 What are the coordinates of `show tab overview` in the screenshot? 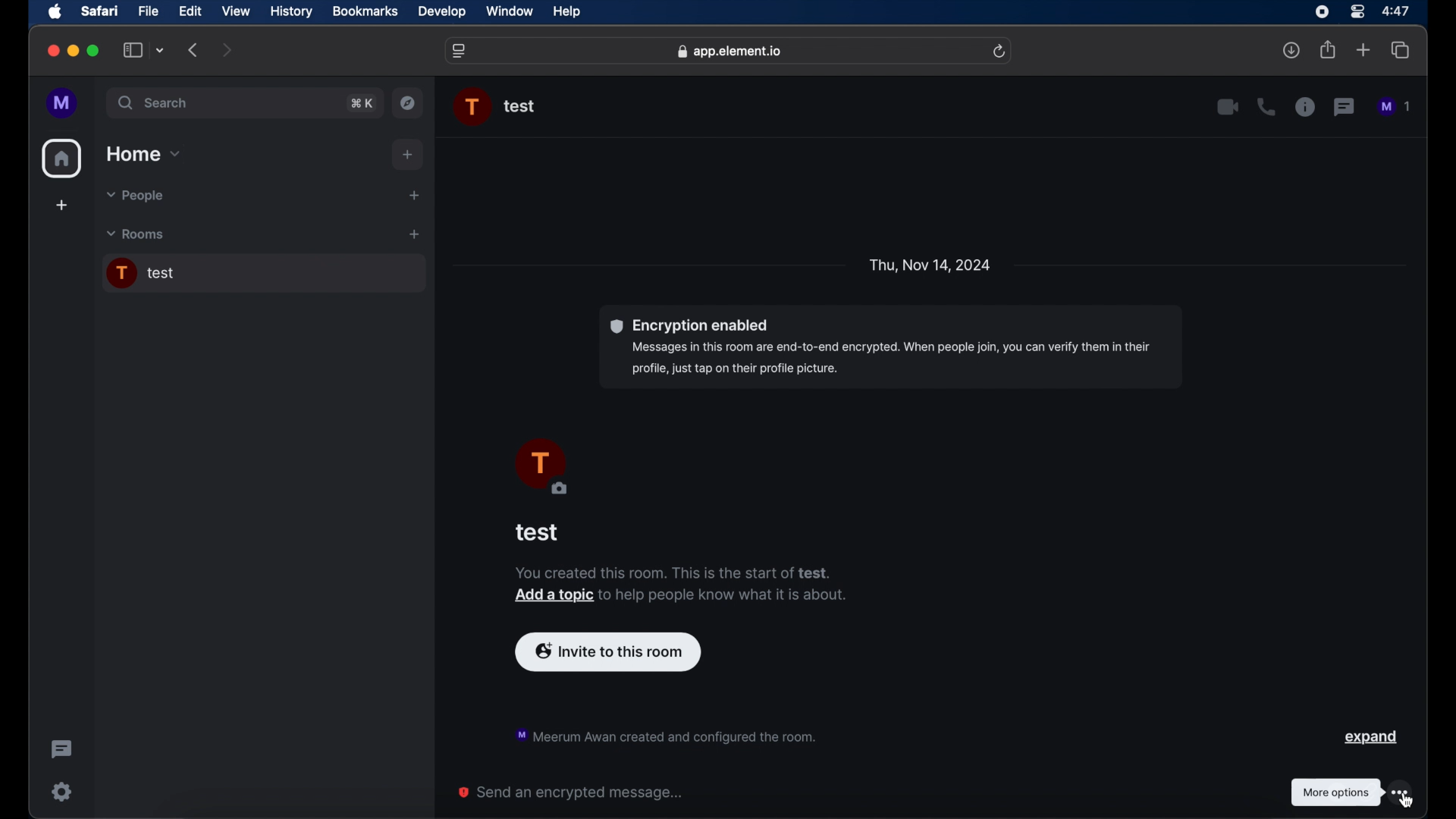 It's located at (1401, 51).